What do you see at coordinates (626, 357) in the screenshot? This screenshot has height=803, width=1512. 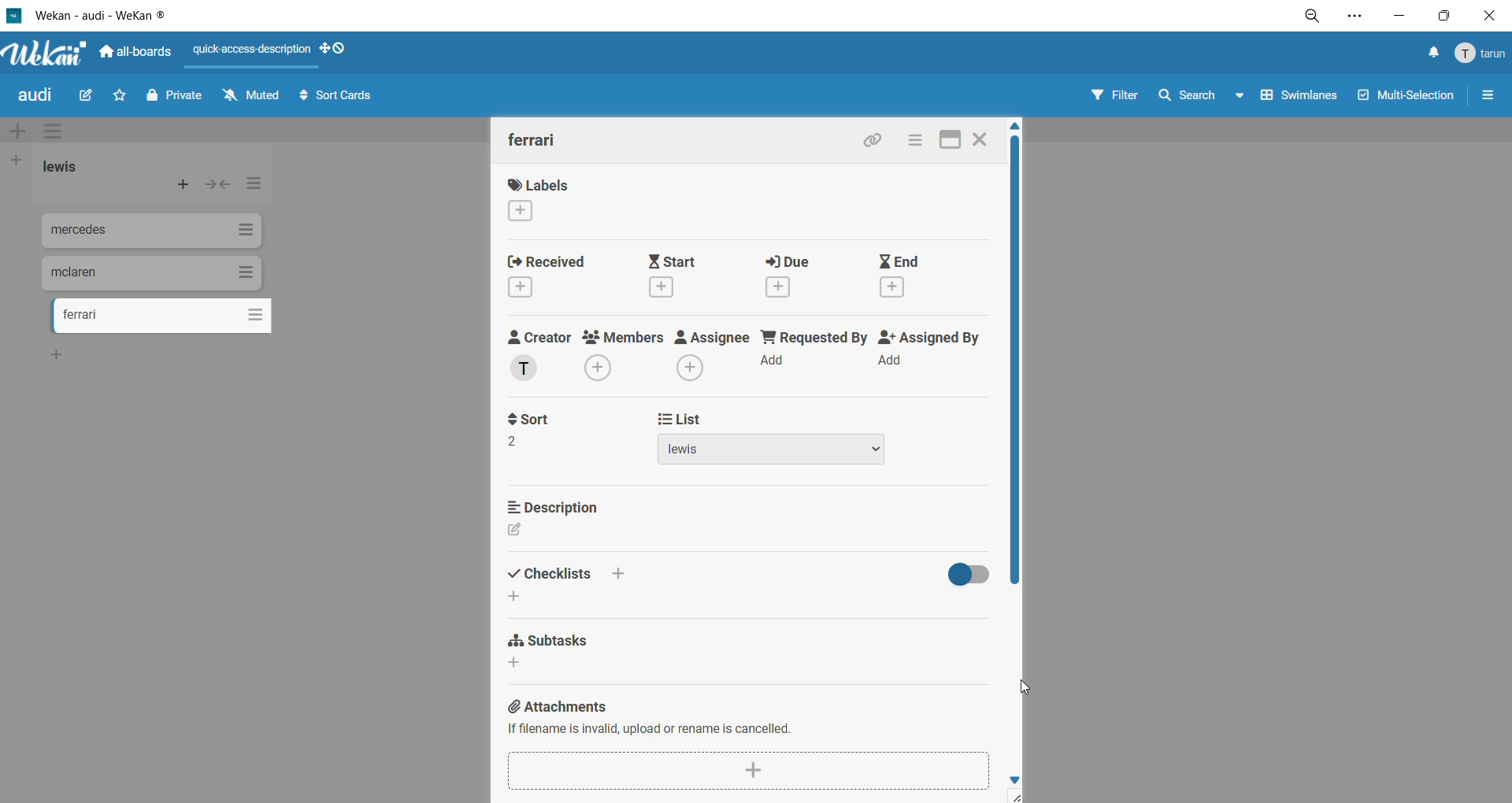 I see `members` at bounding box center [626, 357].